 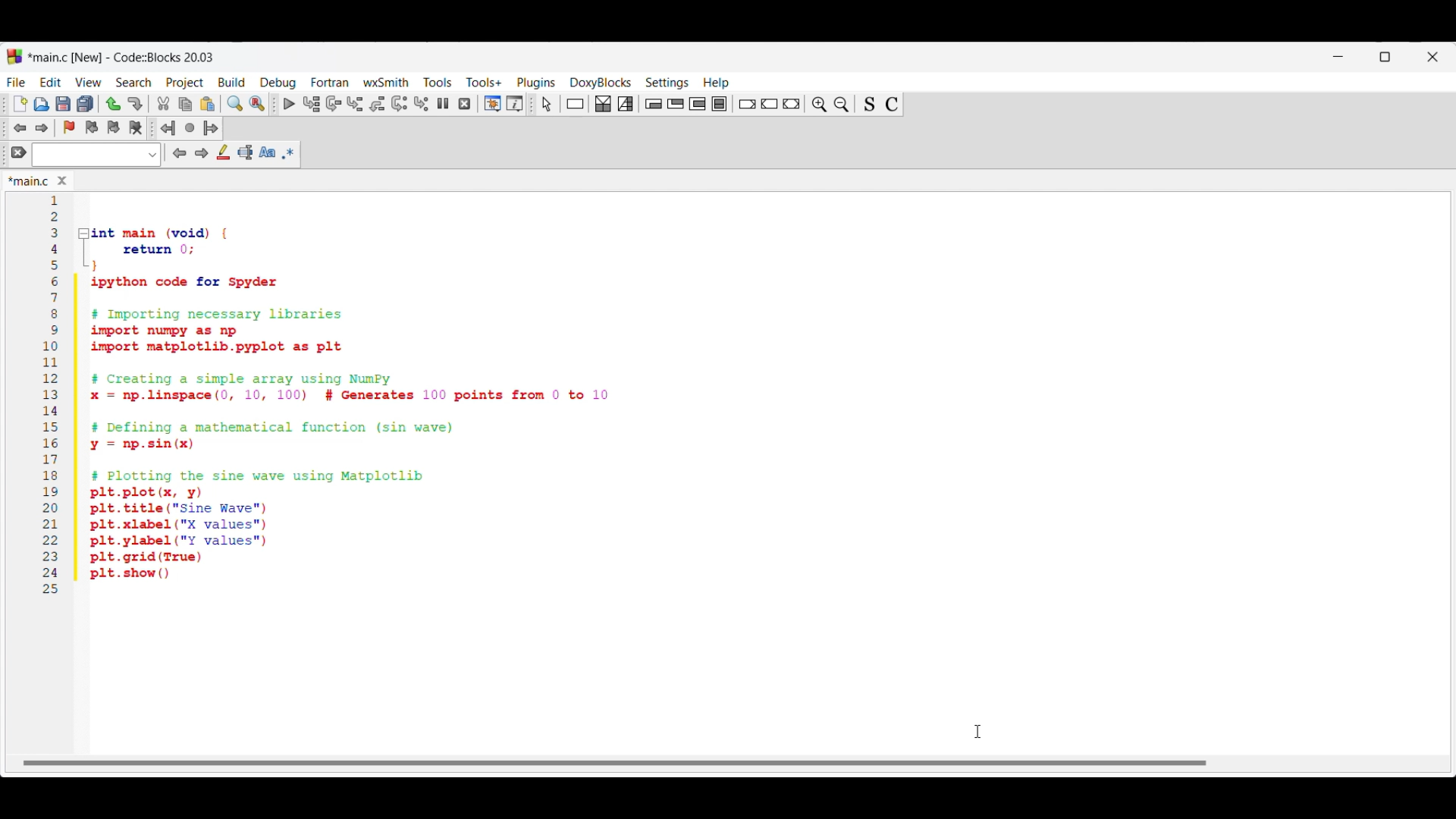 I want to click on Toggle comments, so click(x=892, y=105).